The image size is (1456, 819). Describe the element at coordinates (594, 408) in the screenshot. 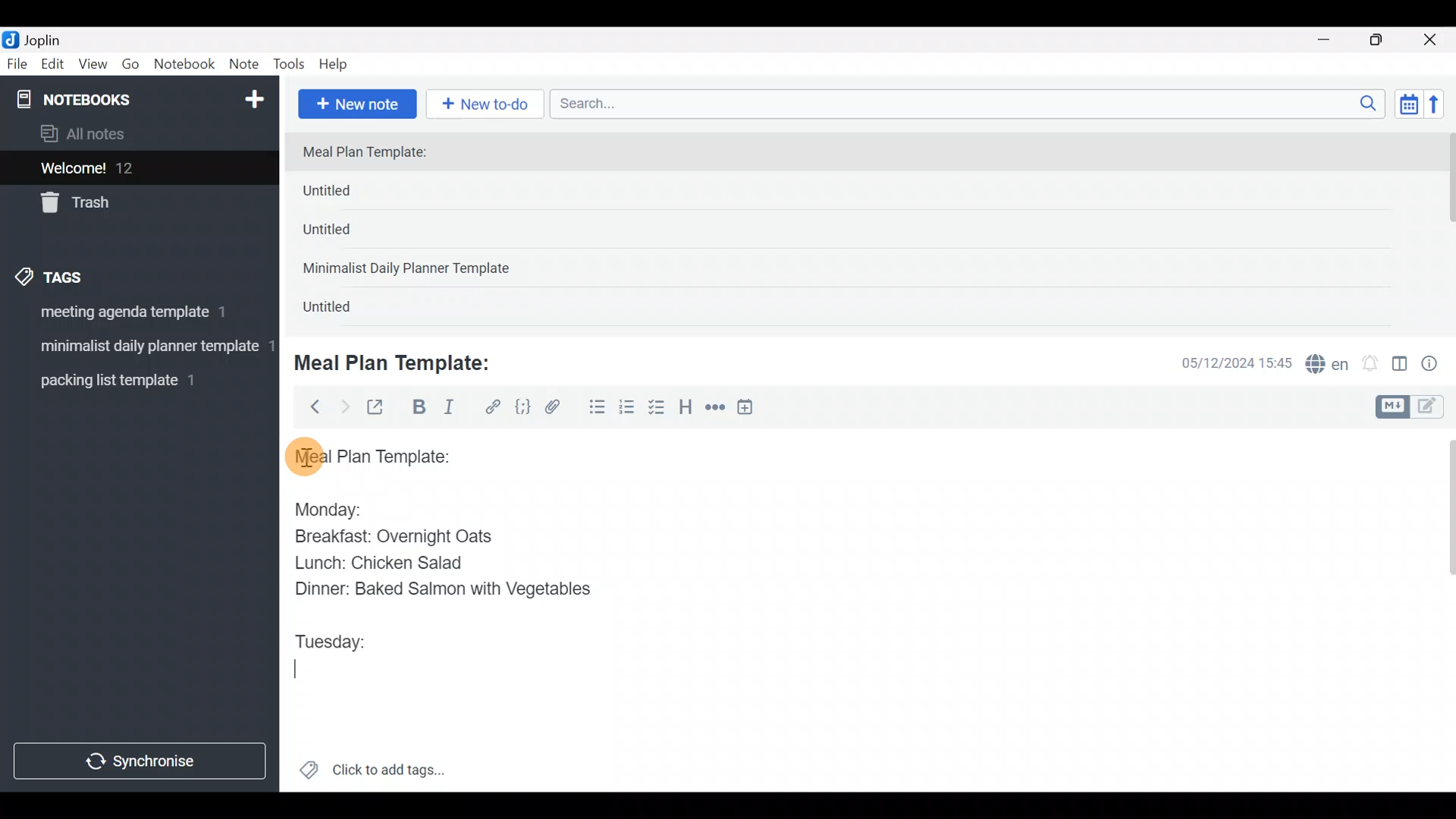

I see `Bulleted list` at that location.